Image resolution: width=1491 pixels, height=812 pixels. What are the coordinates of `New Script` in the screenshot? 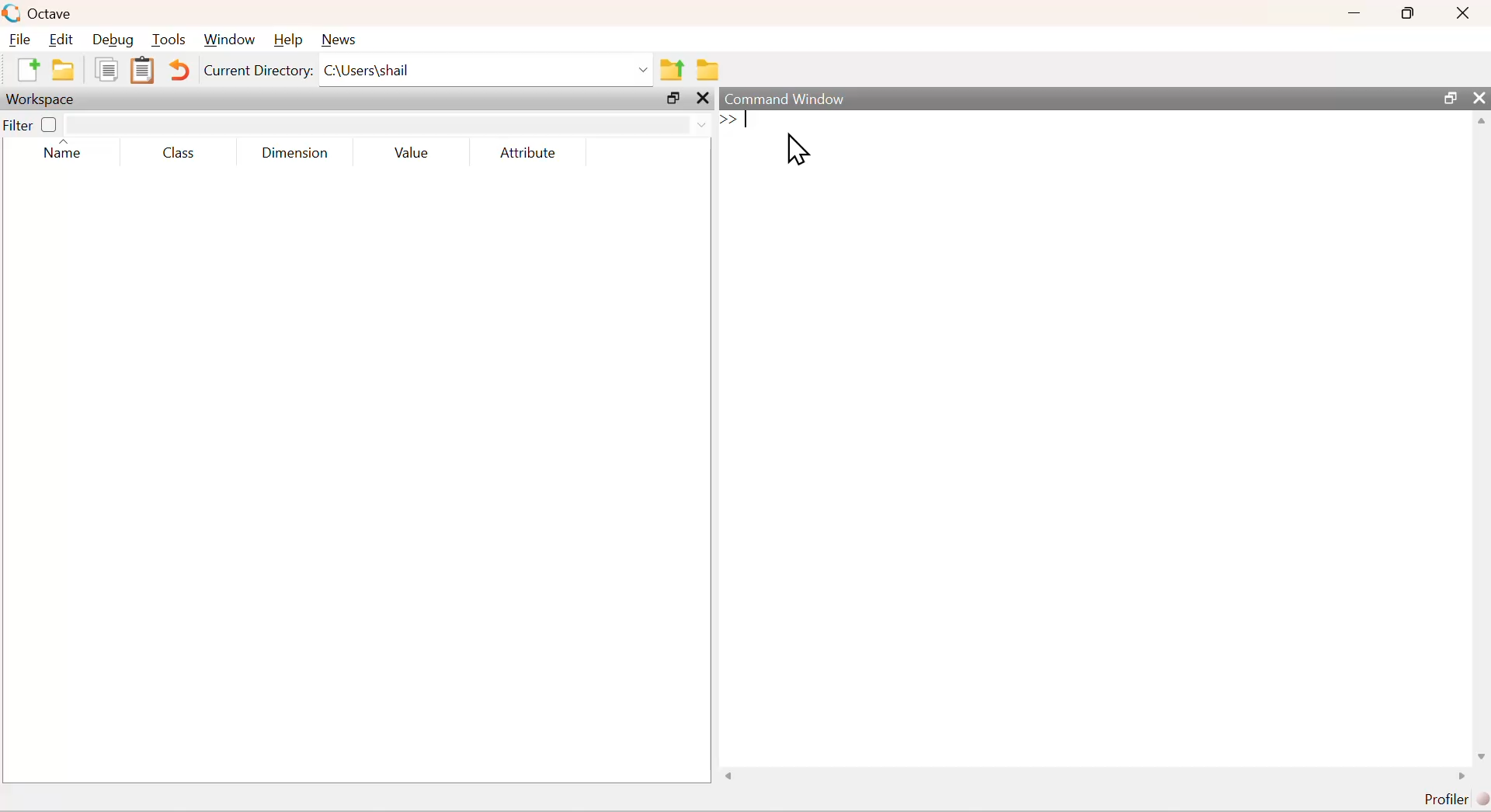 It's located at (25, 69).